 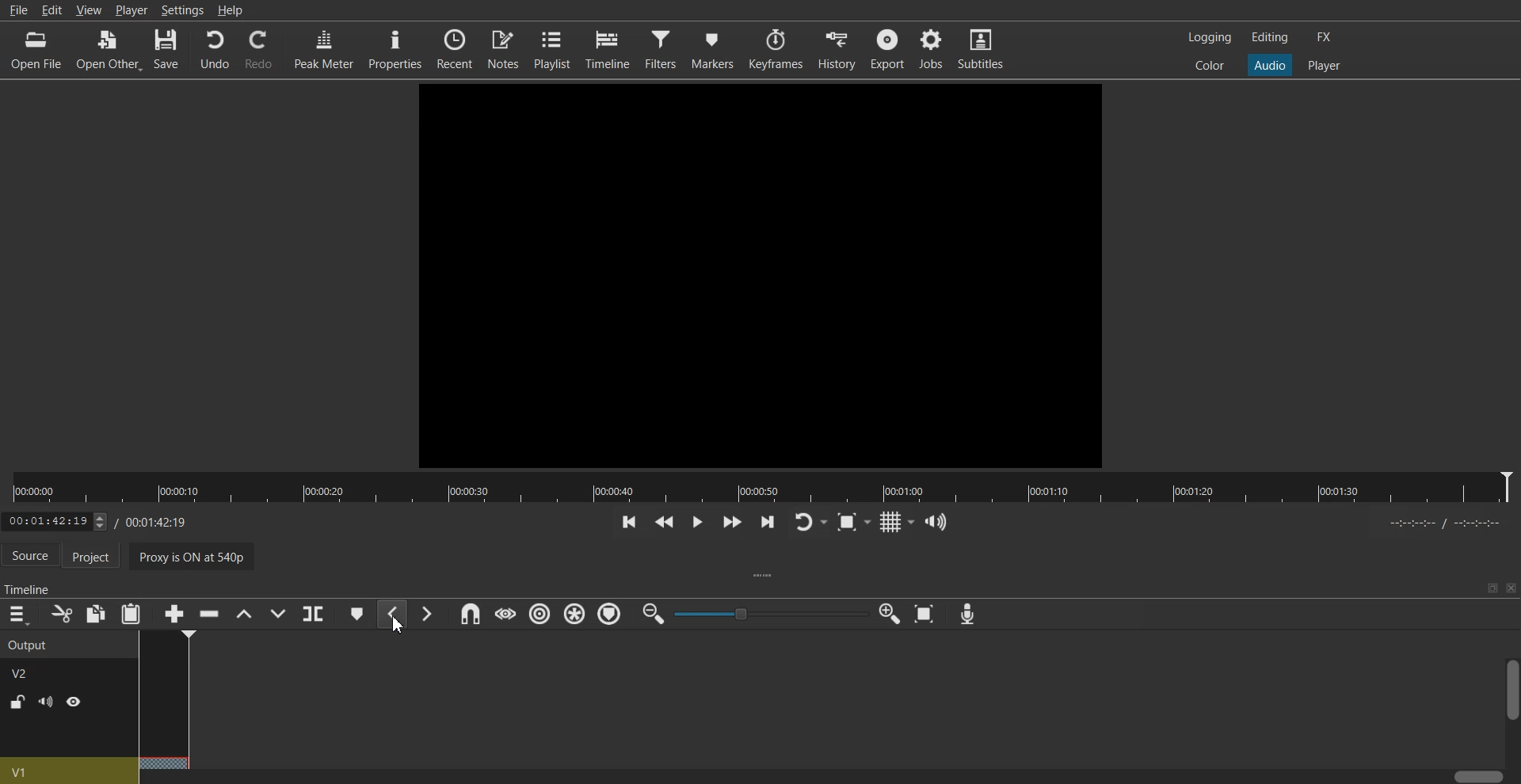 What do you see at coordinates (821, 777) in the screenshot?
I see `Horizontal Scroll bar` at bounding box center [821, 777].